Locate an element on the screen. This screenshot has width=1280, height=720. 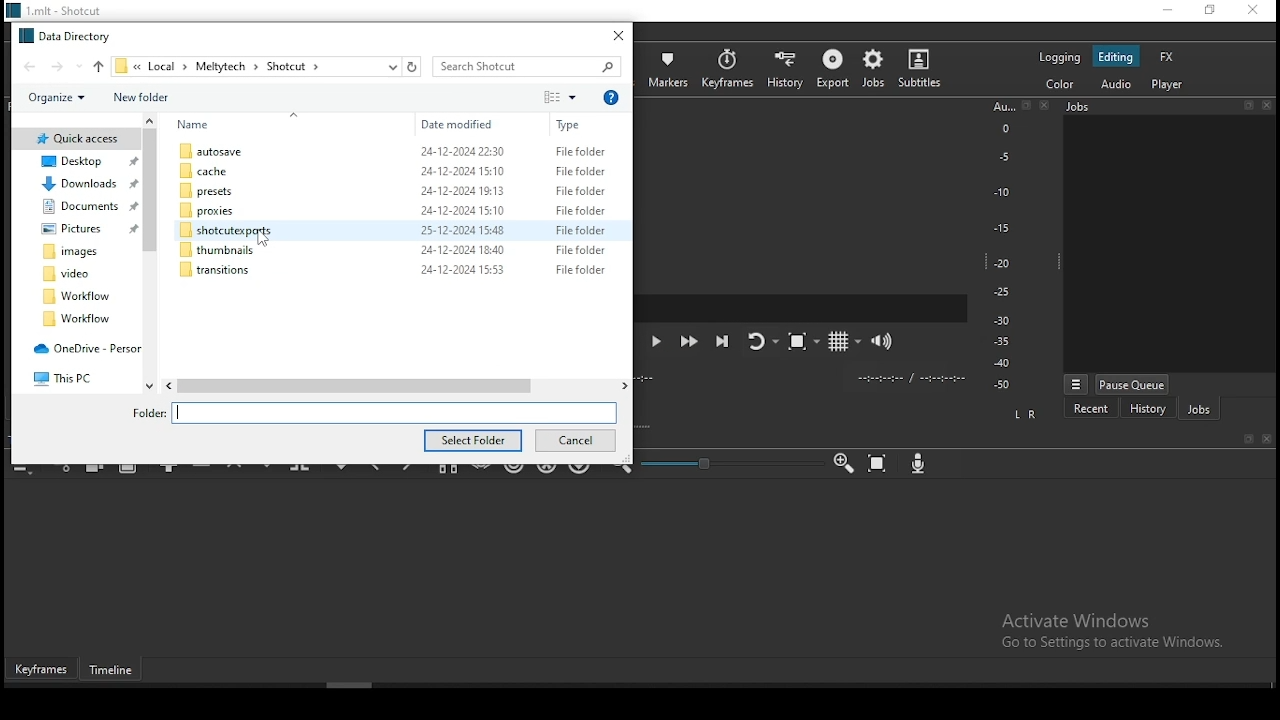
local folder is located at coordinates (77, 161).